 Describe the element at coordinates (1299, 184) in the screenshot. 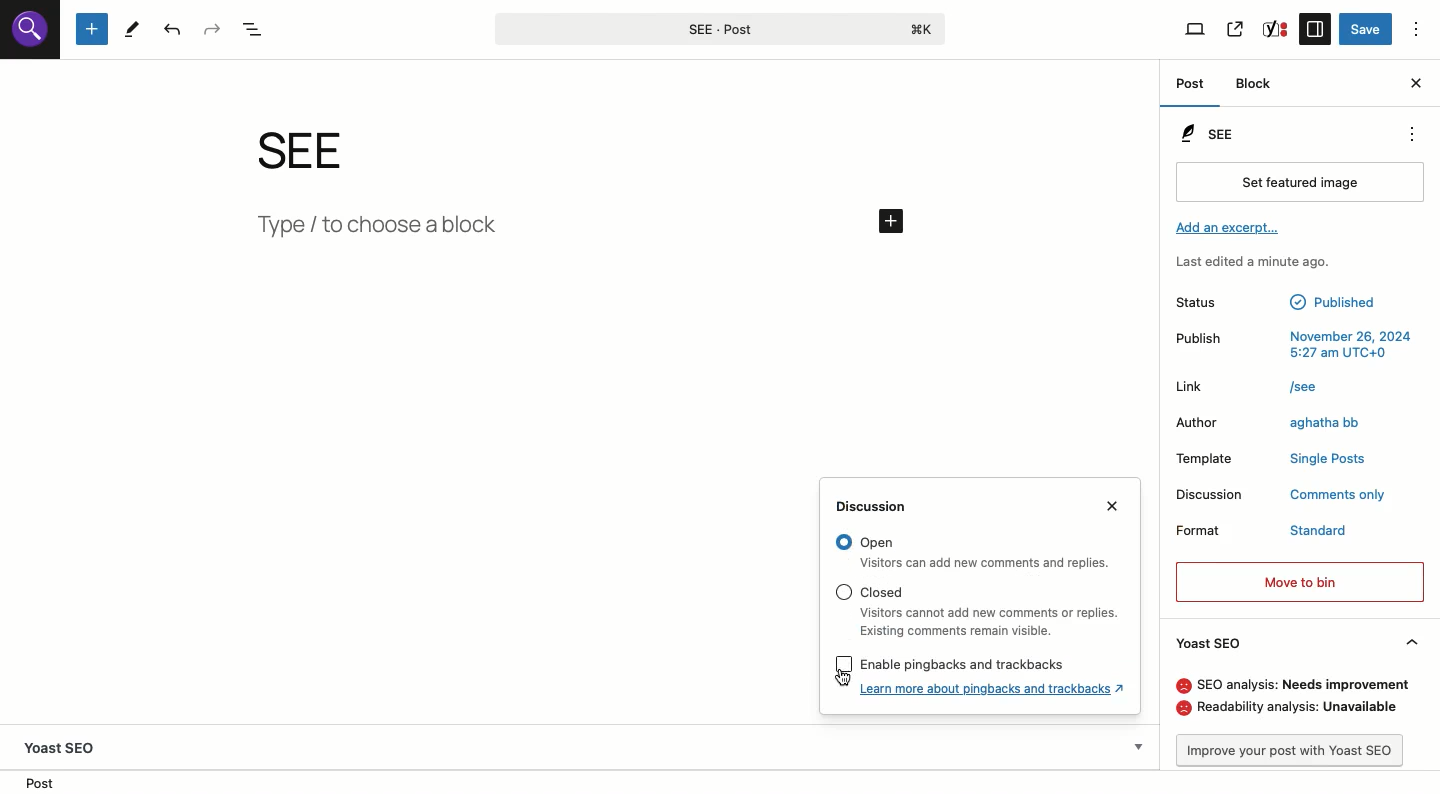

I see `Set featured image` at that location.